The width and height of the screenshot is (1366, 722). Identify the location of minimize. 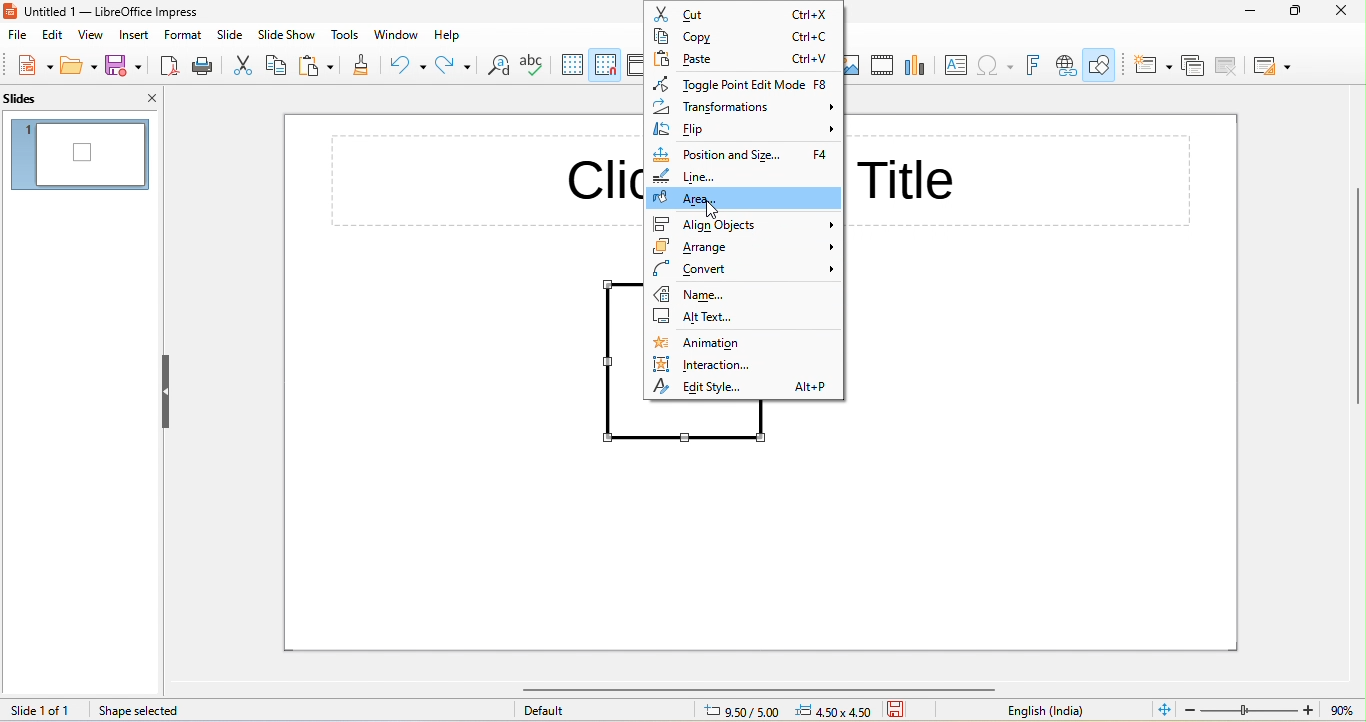
(1245, 12).